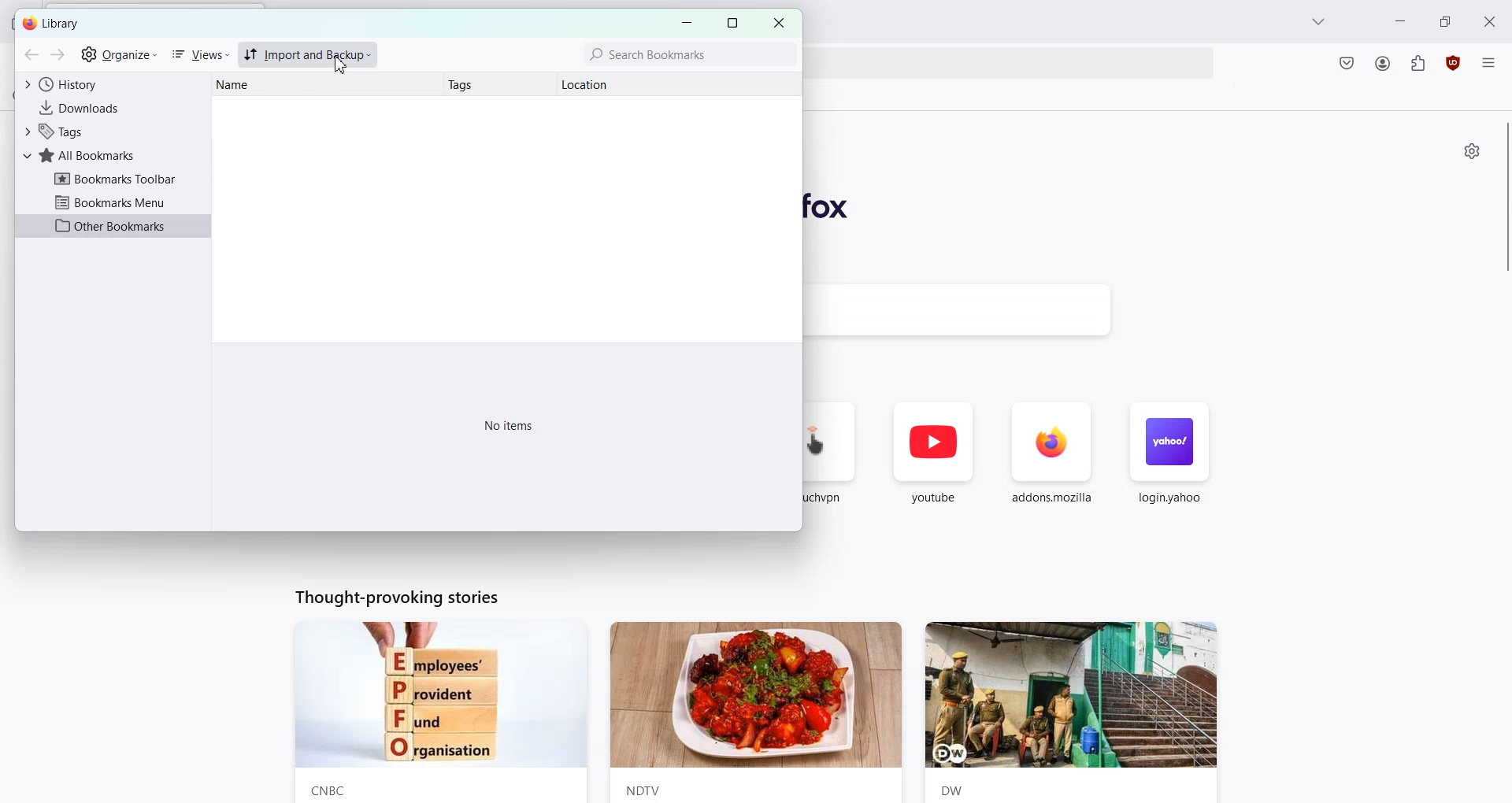 This screenshot has width=1512, height=803. Describe the element at coordinates (1400, 20) in the screenshot. I see `Minimize` at that location.